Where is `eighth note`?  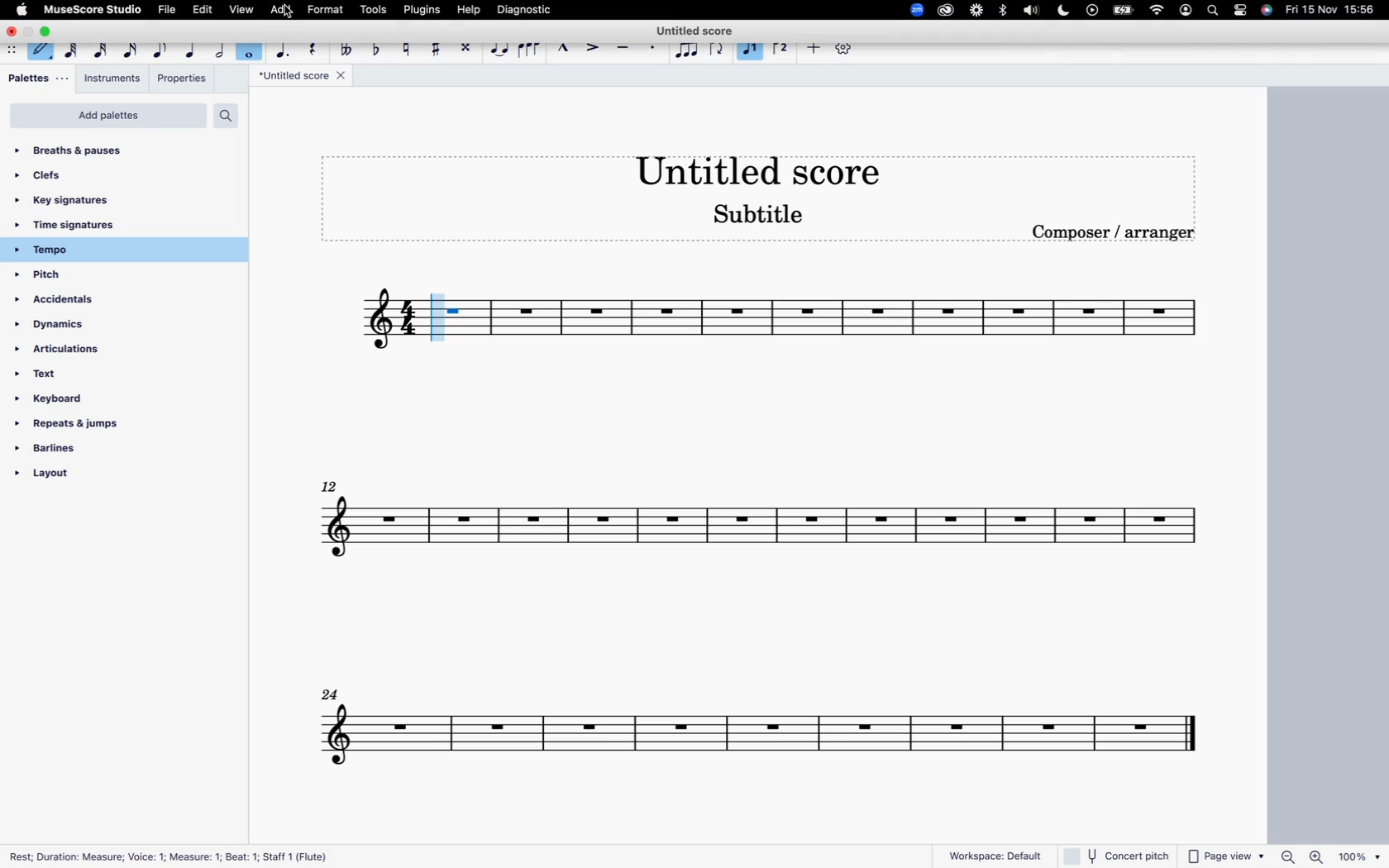
eighth note is located at coordinates (161, 47).